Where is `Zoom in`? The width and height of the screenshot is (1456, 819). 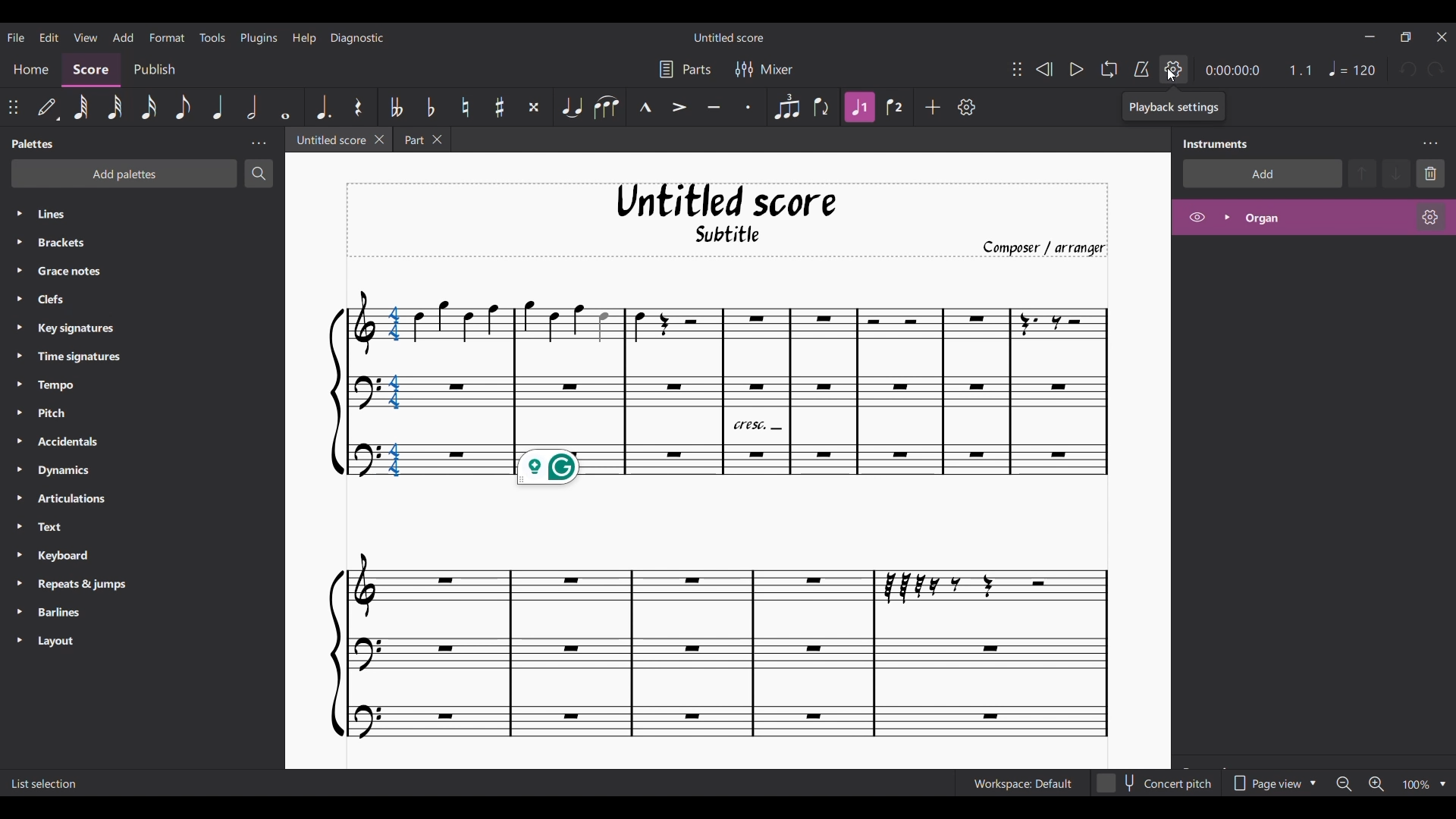
Zoom in is located at coordinates (1376, 784).